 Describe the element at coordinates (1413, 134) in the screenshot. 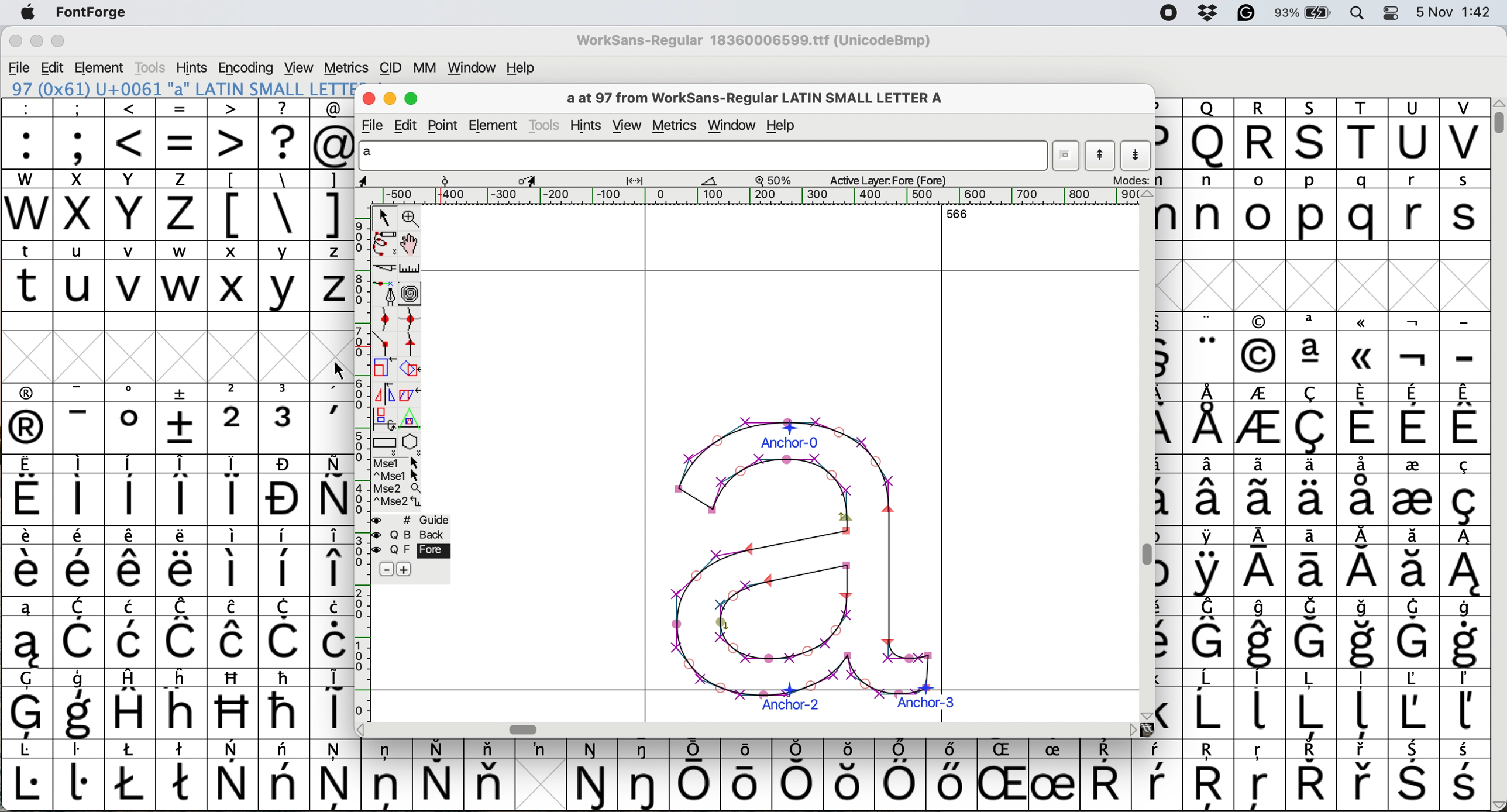

I see `U` at that location.